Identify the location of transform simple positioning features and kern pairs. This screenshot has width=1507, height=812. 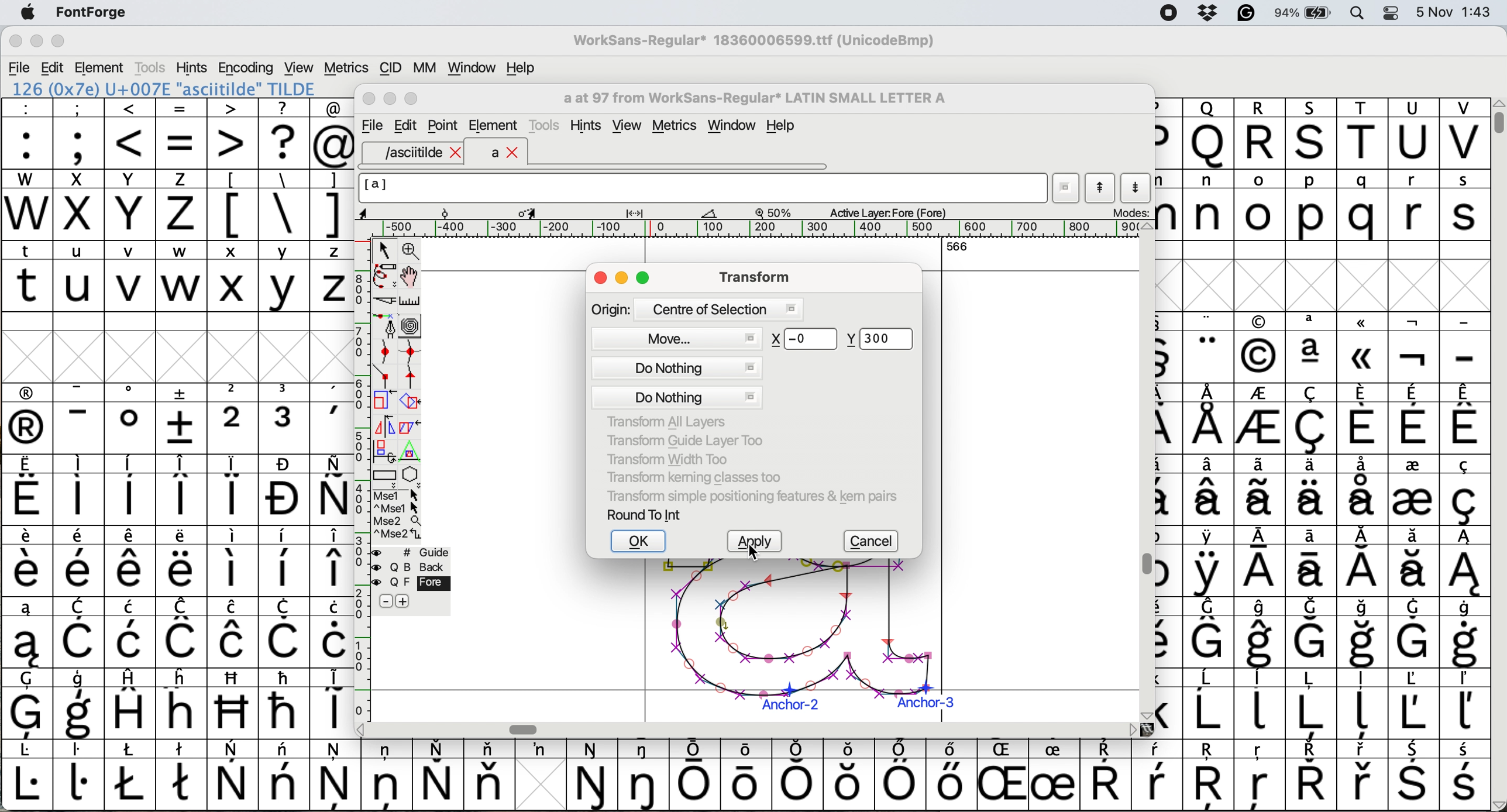
(749, 498).